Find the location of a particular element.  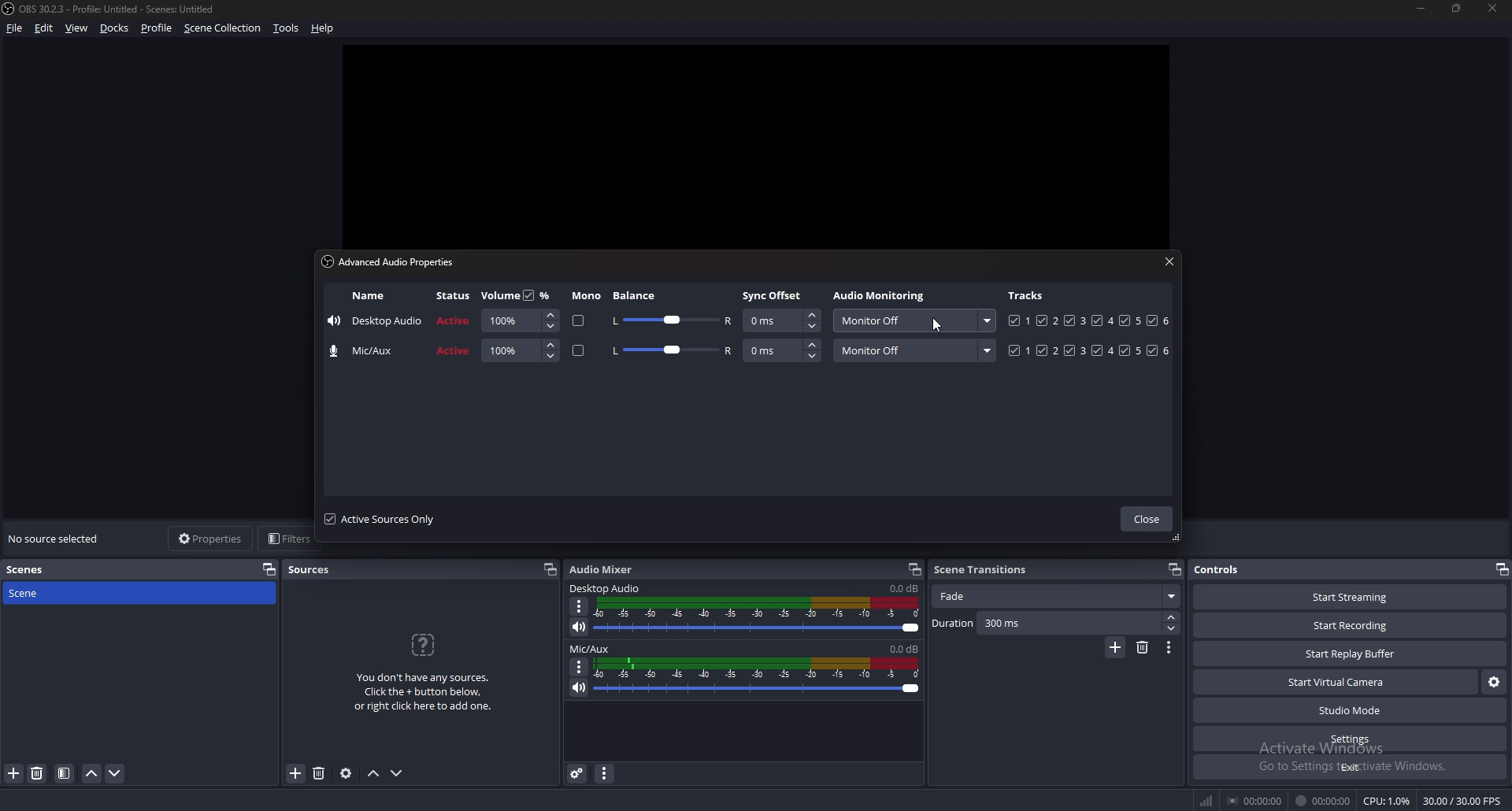

start streaming is located at coordinates (1349, 597).